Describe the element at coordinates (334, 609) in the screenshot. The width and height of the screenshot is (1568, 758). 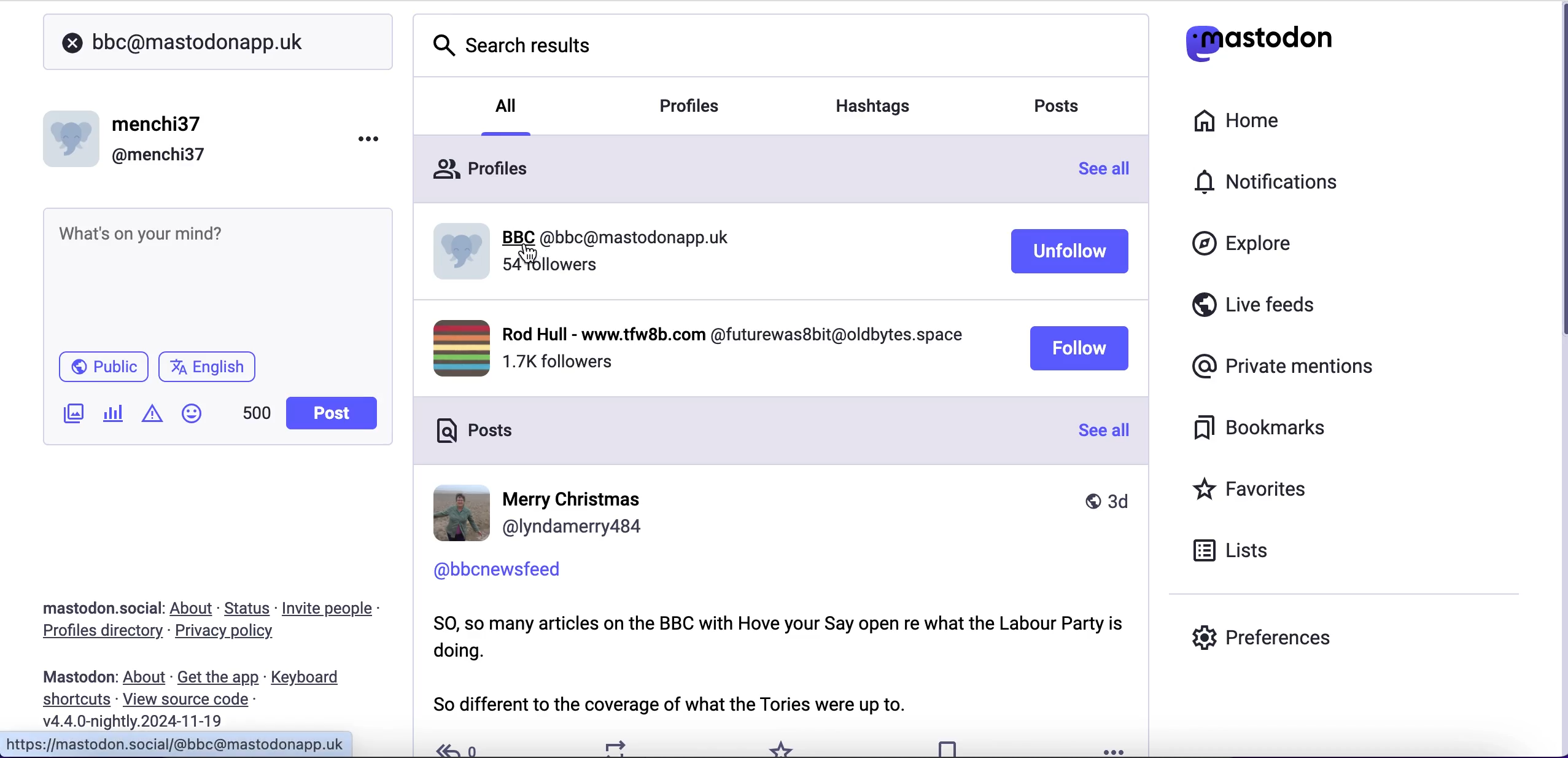
I see `invite people` at that location.